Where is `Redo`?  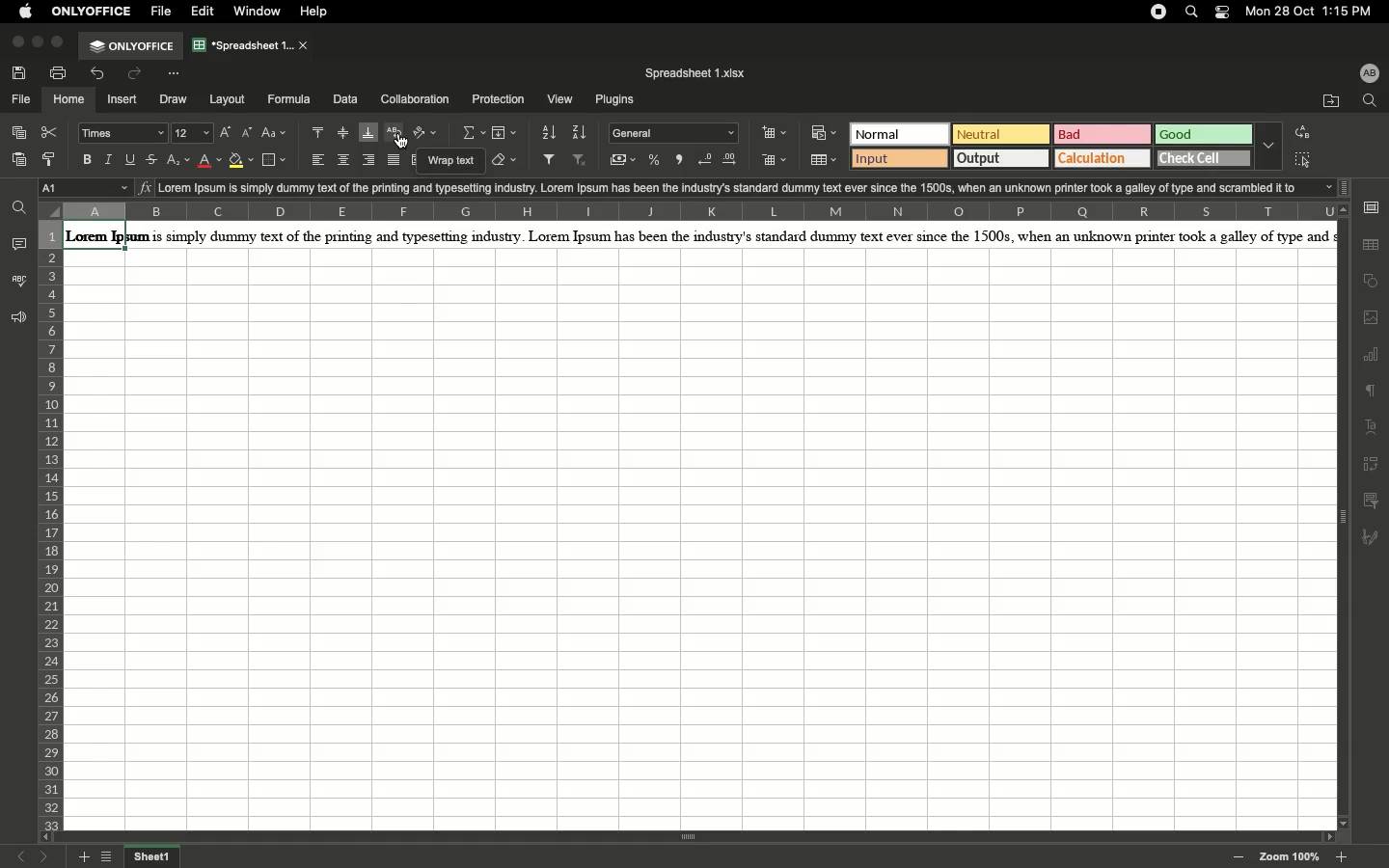 Redo is located at coordinates (141, 73).